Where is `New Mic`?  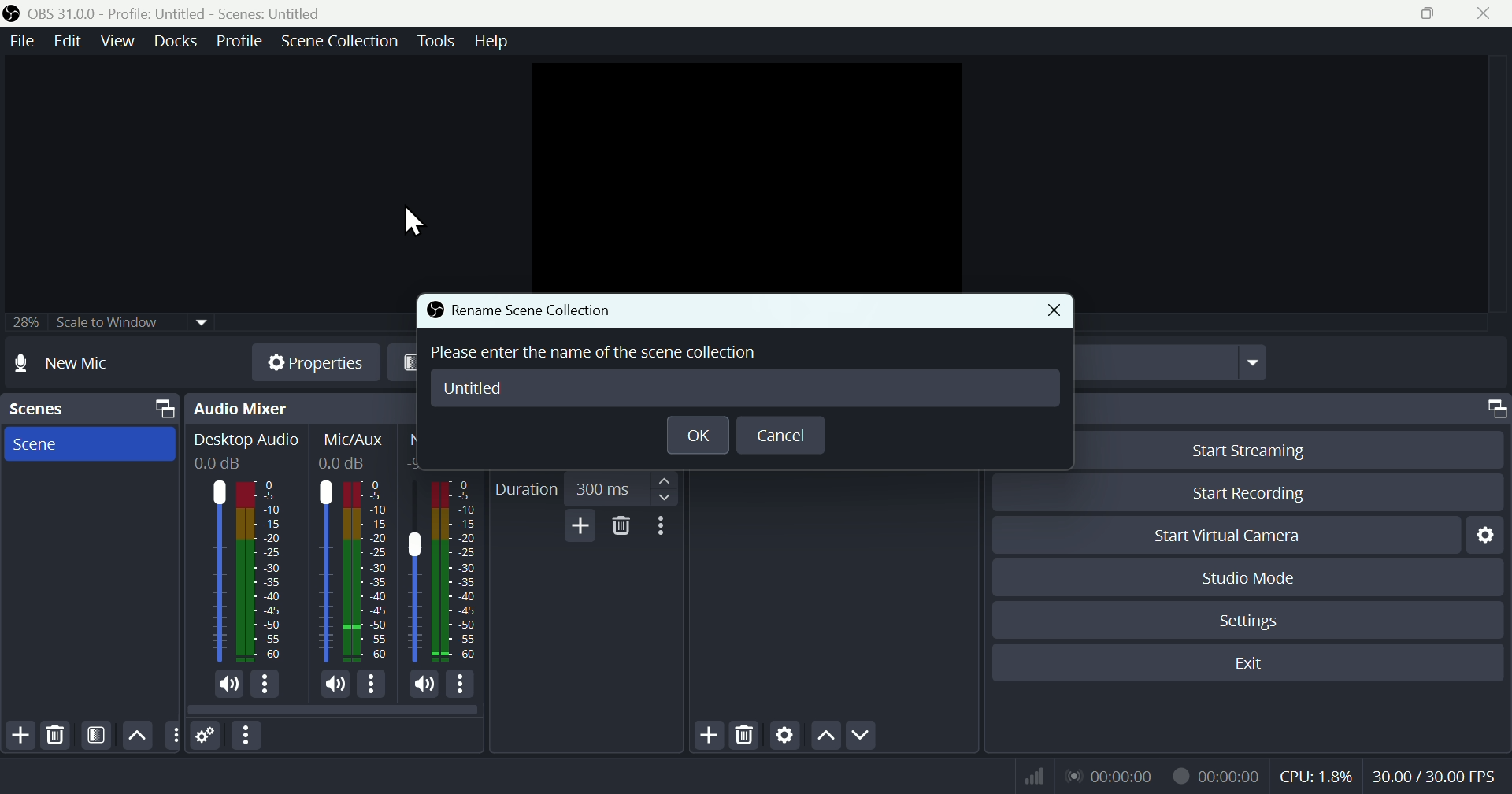
New Mic is located at coordinates (457, 573).